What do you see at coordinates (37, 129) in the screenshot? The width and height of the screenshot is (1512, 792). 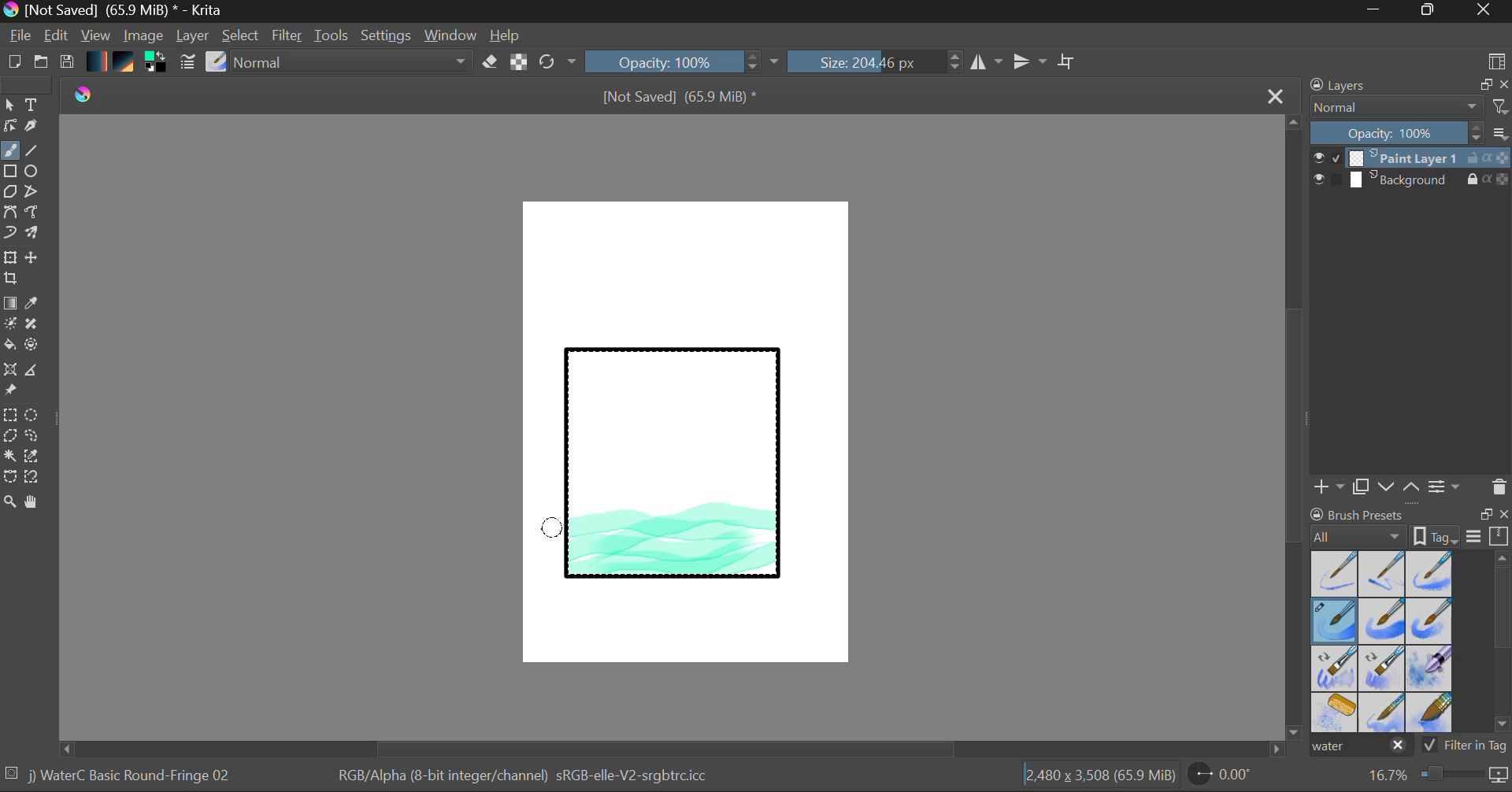 I see `Calligraphic Tool` at bounding box center [37, 129].